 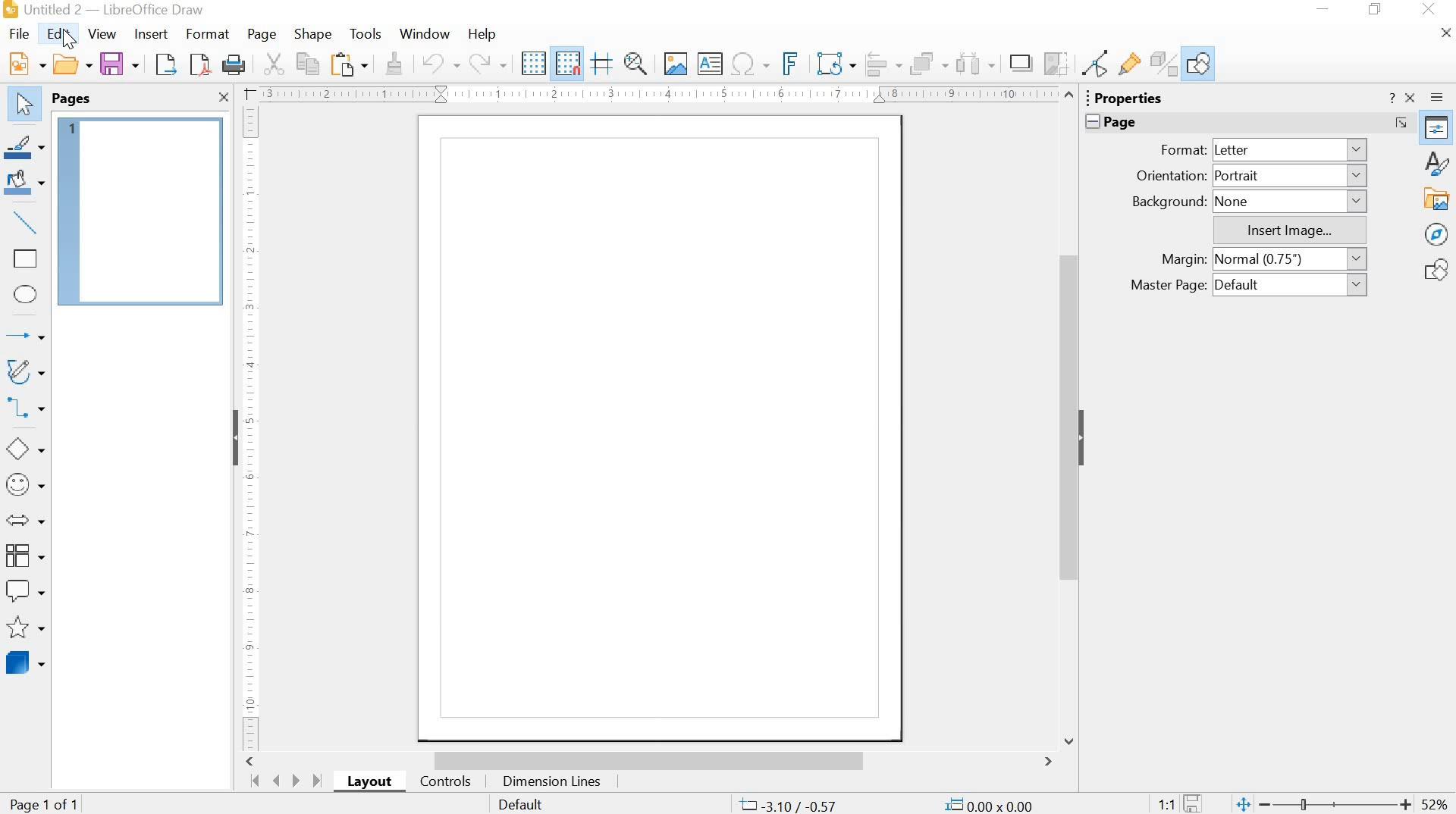 I want to click on Shapes, so click(x=1438, y=269).